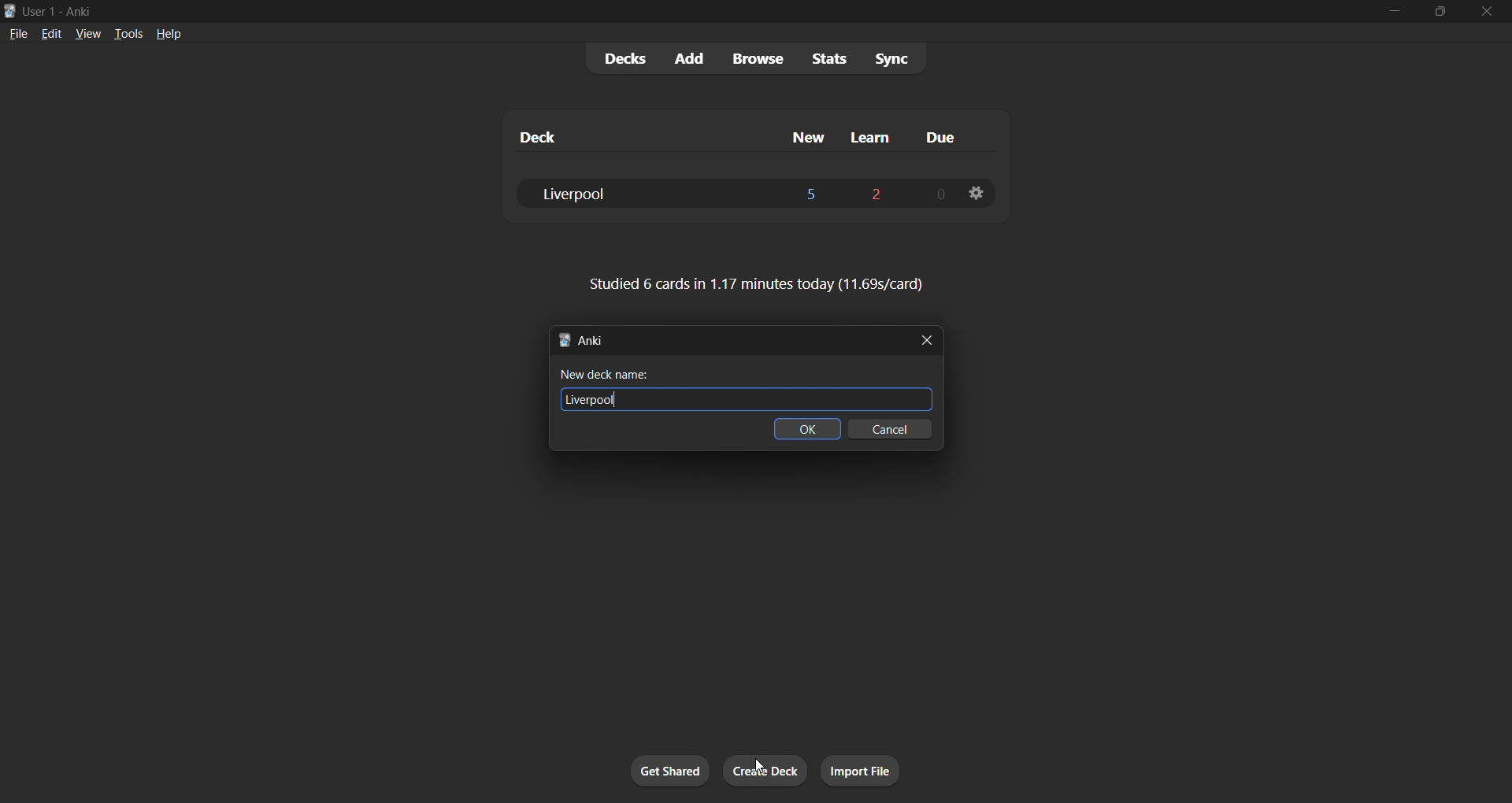 The image size is (1512, 803). What do you see at coordinates (726, 341) in the screenshot?
I see `new tab title` at bounding box center [726, 341].